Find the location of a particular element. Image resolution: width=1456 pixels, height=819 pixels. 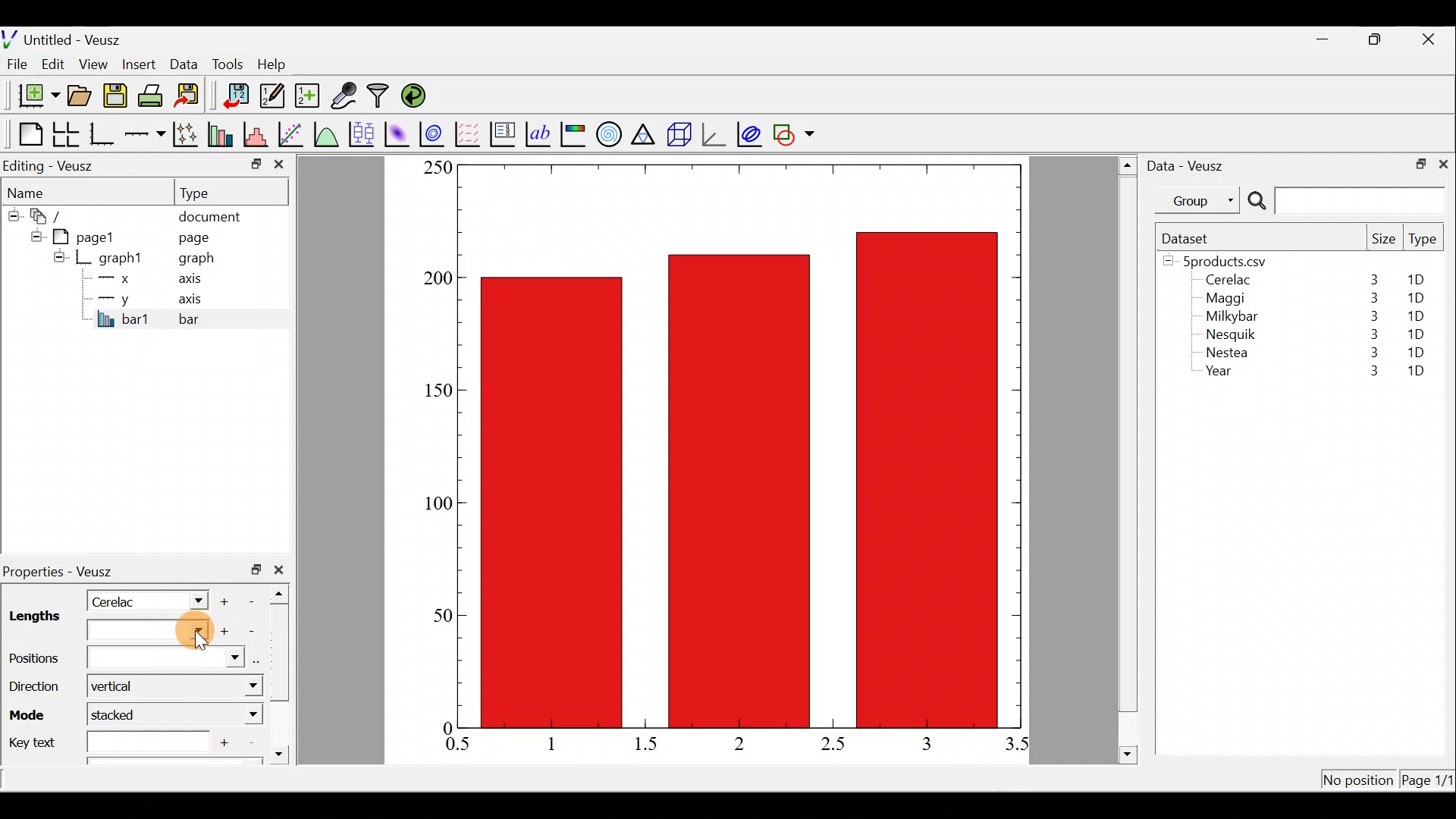

hide is located at coordinates (33, 234).